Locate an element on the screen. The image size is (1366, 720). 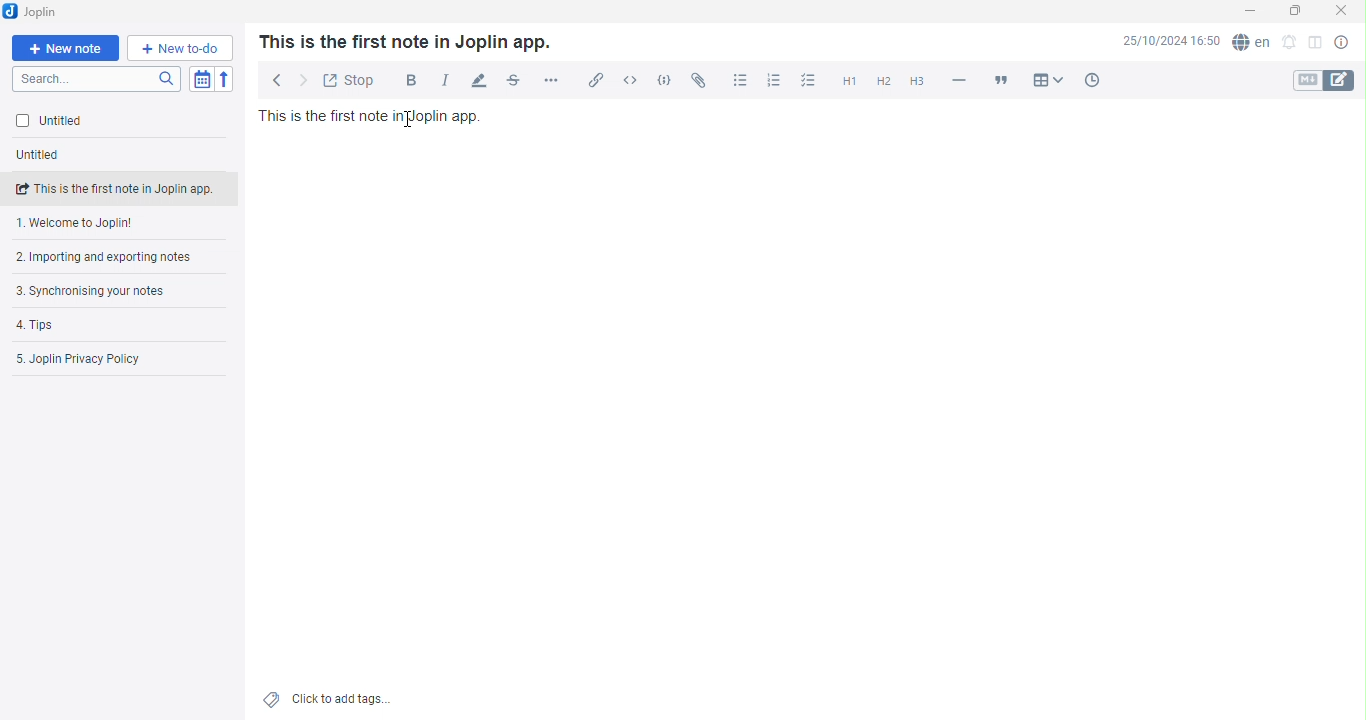
Back is located at coordinates (272, 76).